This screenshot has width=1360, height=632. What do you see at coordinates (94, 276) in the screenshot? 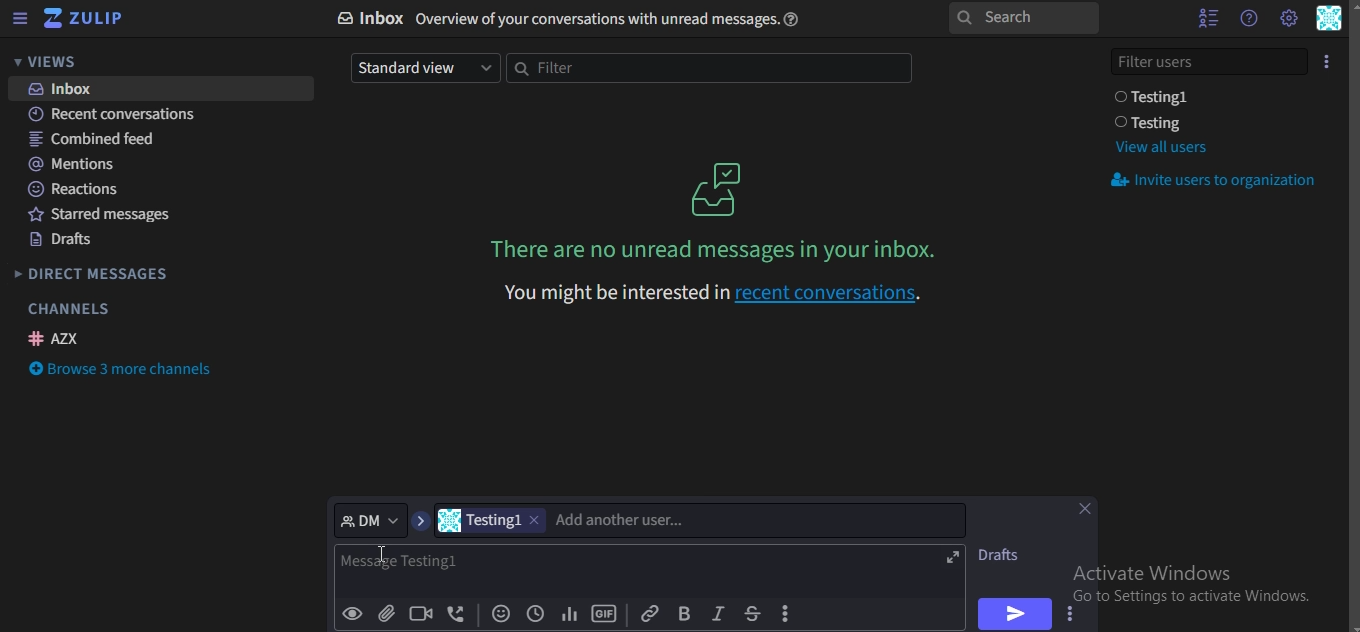
I see `direct messages` at bounding box center [94, 276].